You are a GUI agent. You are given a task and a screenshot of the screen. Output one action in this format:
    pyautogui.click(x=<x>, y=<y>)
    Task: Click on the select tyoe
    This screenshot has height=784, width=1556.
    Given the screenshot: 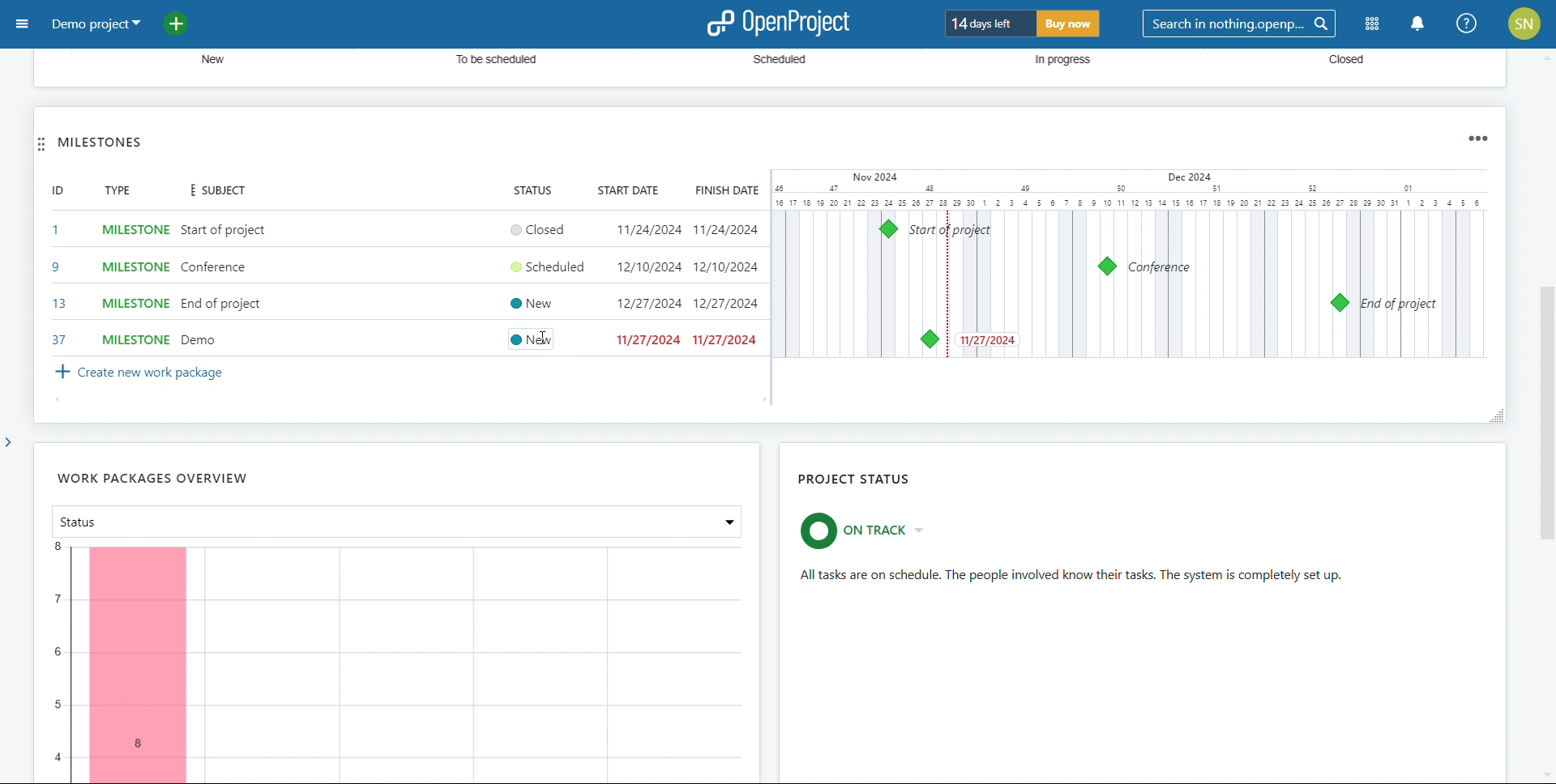 What is the action you would take?
    pyautogui.click(x=136, y=285)
    